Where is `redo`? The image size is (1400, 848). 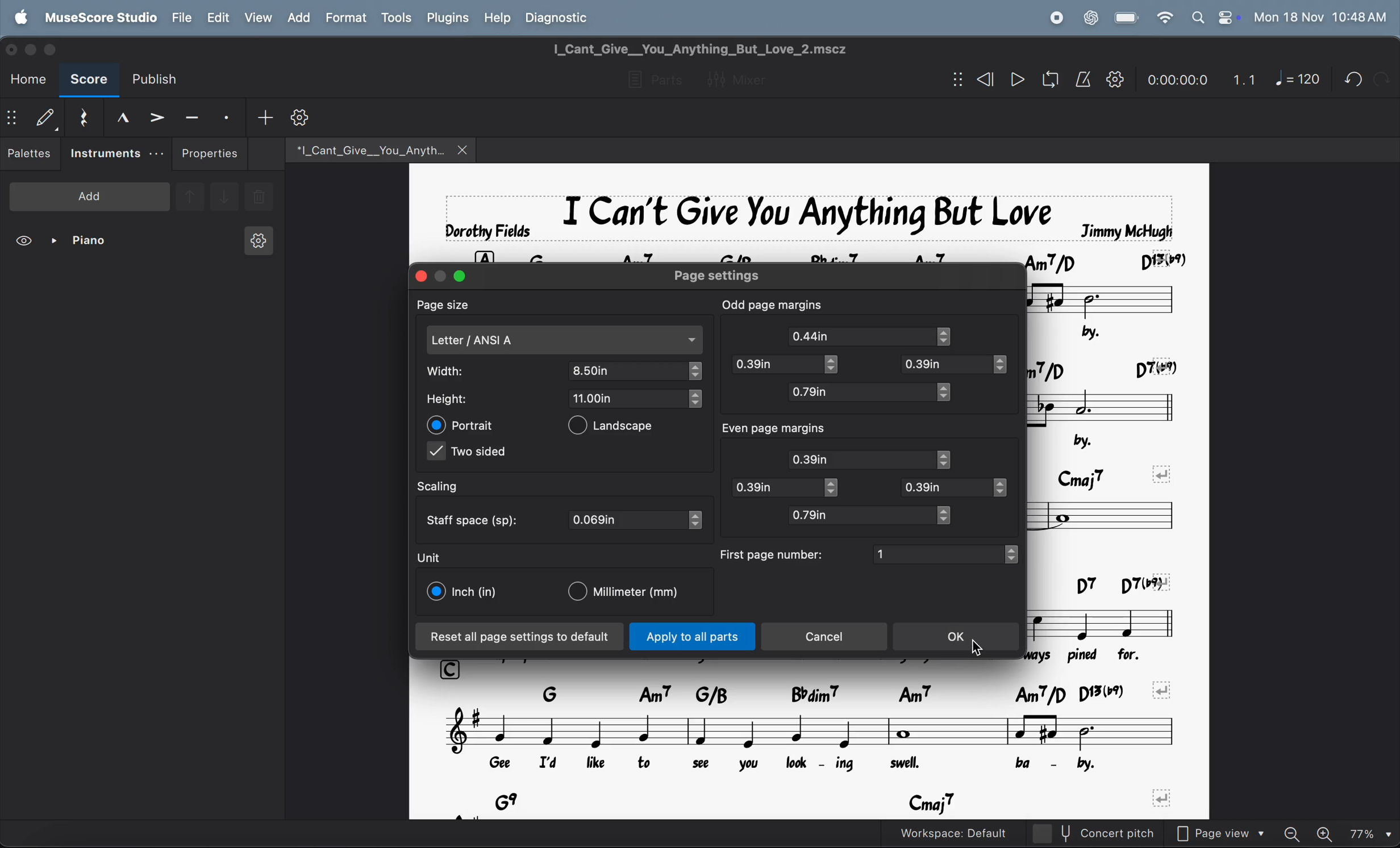 redo is located at coordinates (1349, 79).